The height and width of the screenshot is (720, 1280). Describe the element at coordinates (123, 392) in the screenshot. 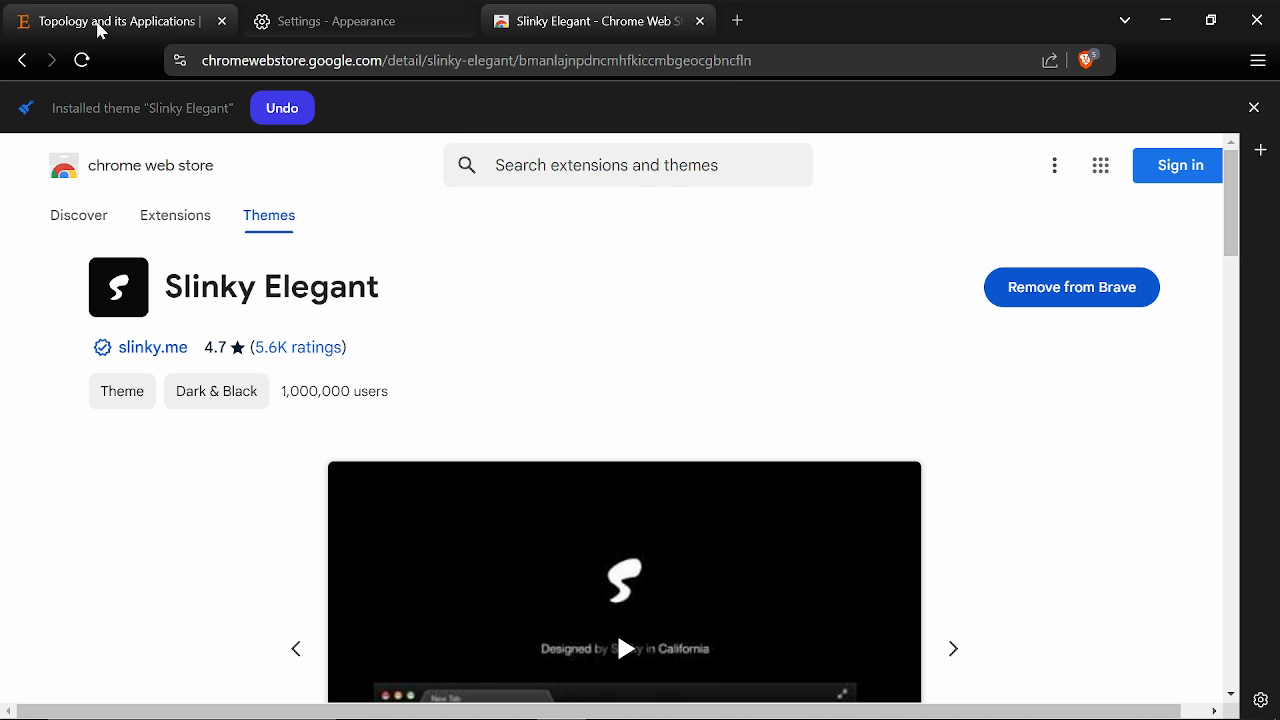

I see `Theme` at that location.